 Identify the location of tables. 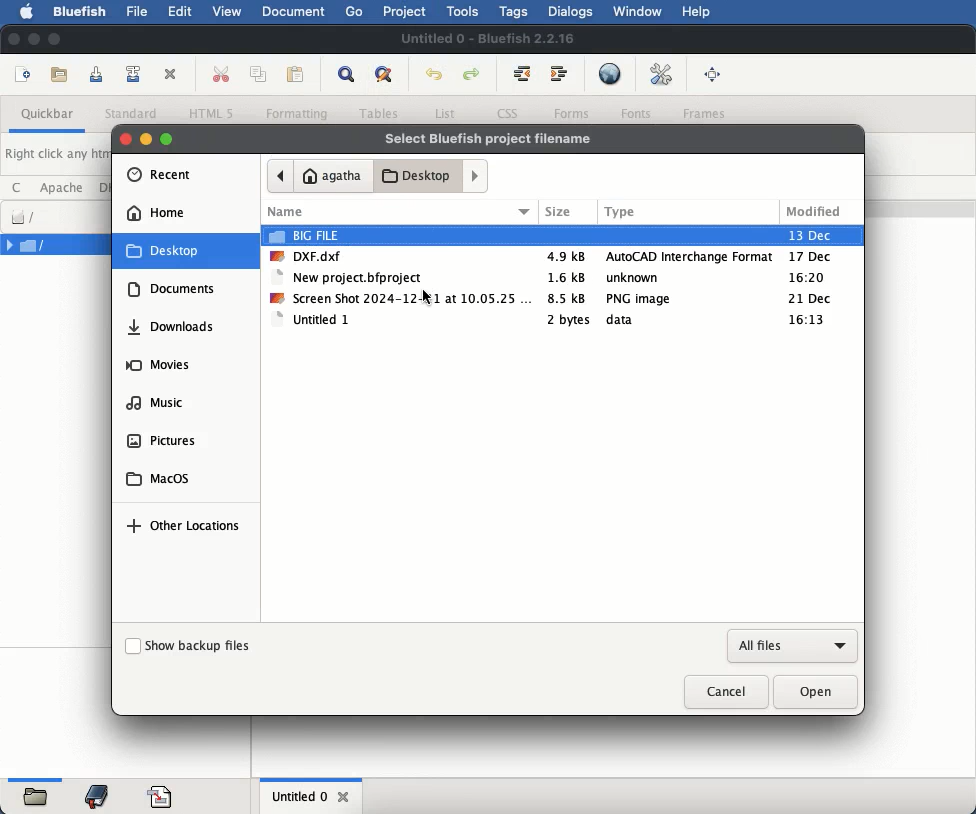
(381, 114).